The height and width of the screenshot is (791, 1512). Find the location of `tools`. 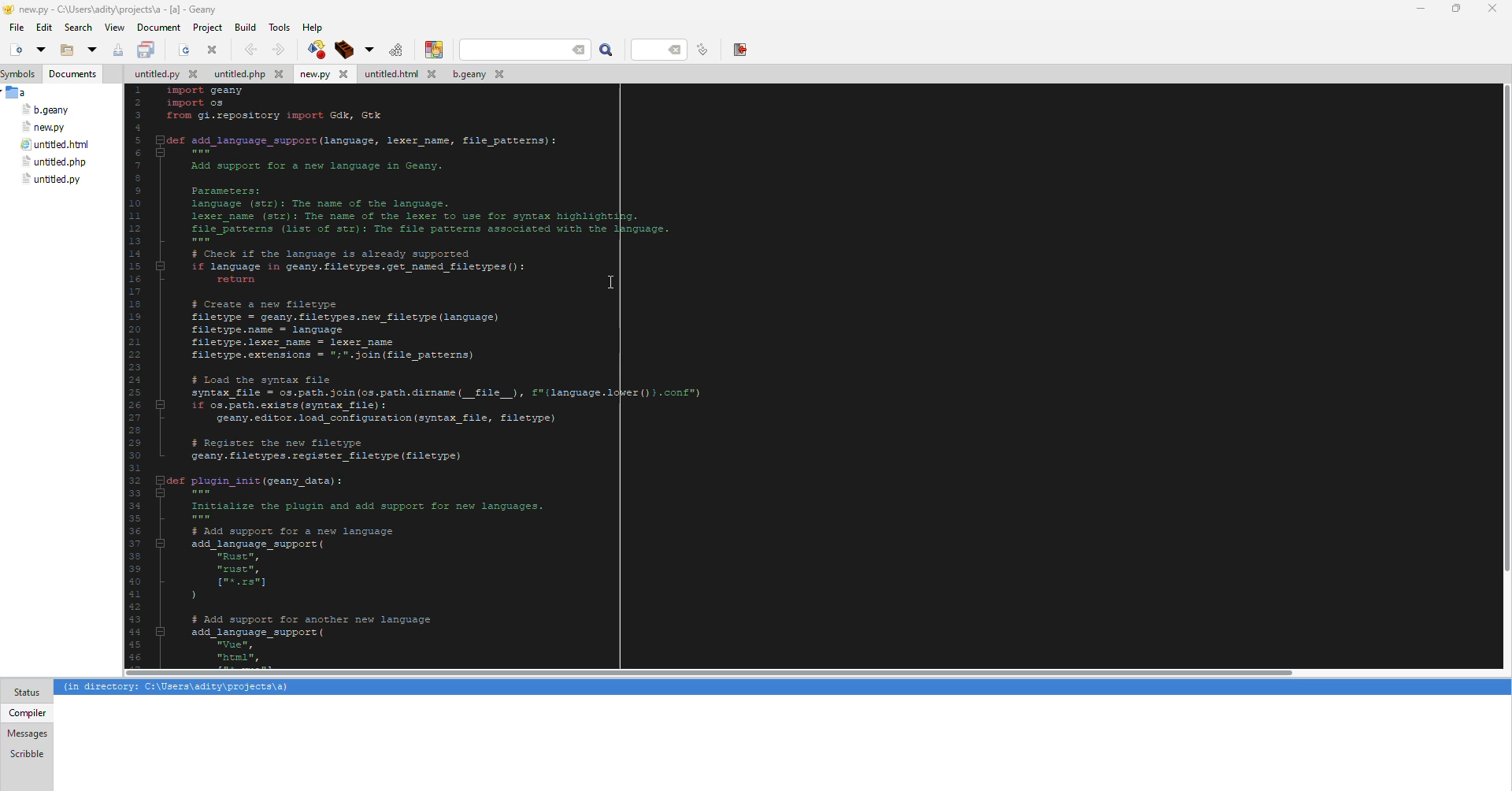

tools is located at coordinates (280, 28).